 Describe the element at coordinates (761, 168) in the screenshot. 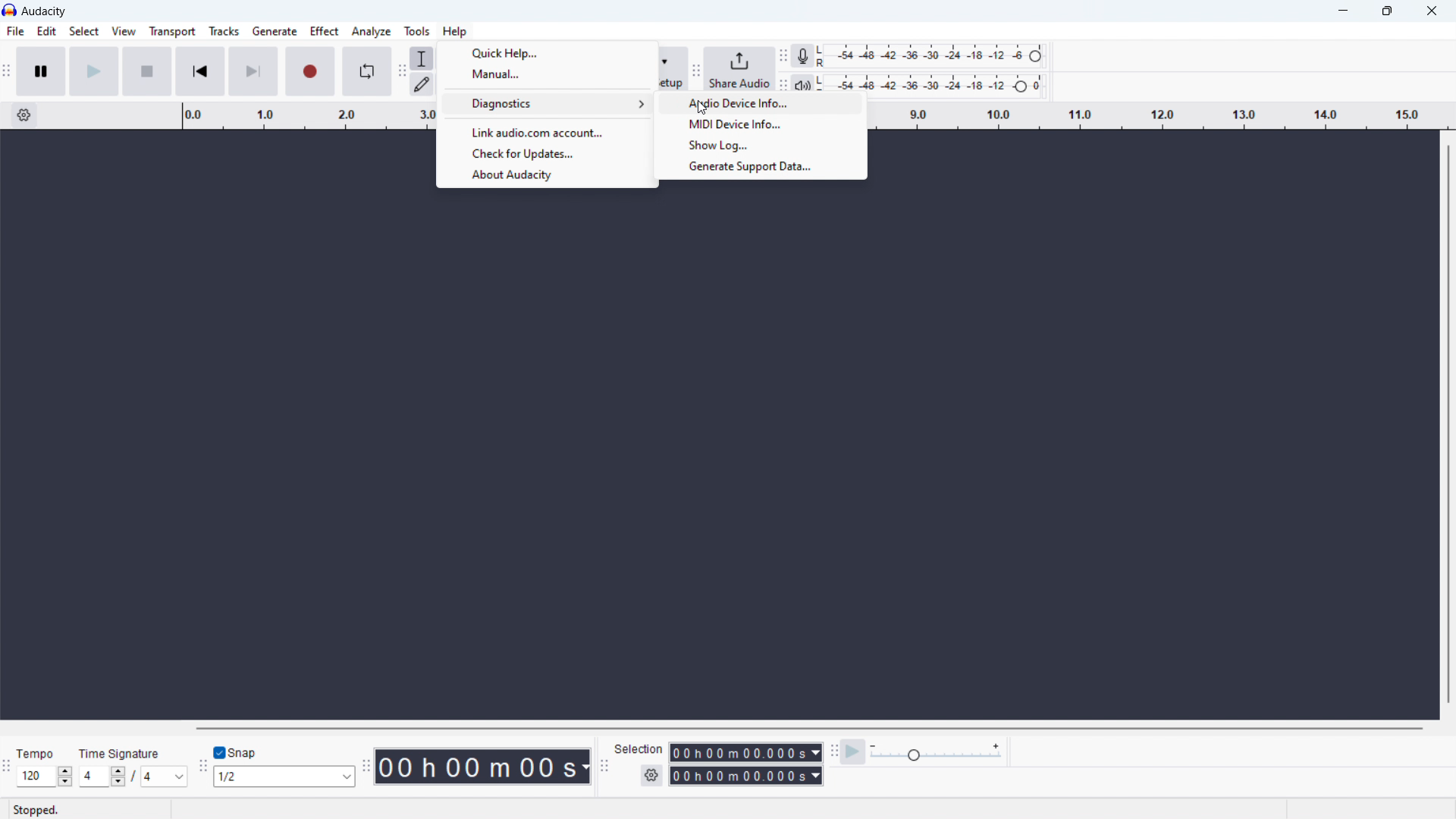

I see `generate support data` at that location.